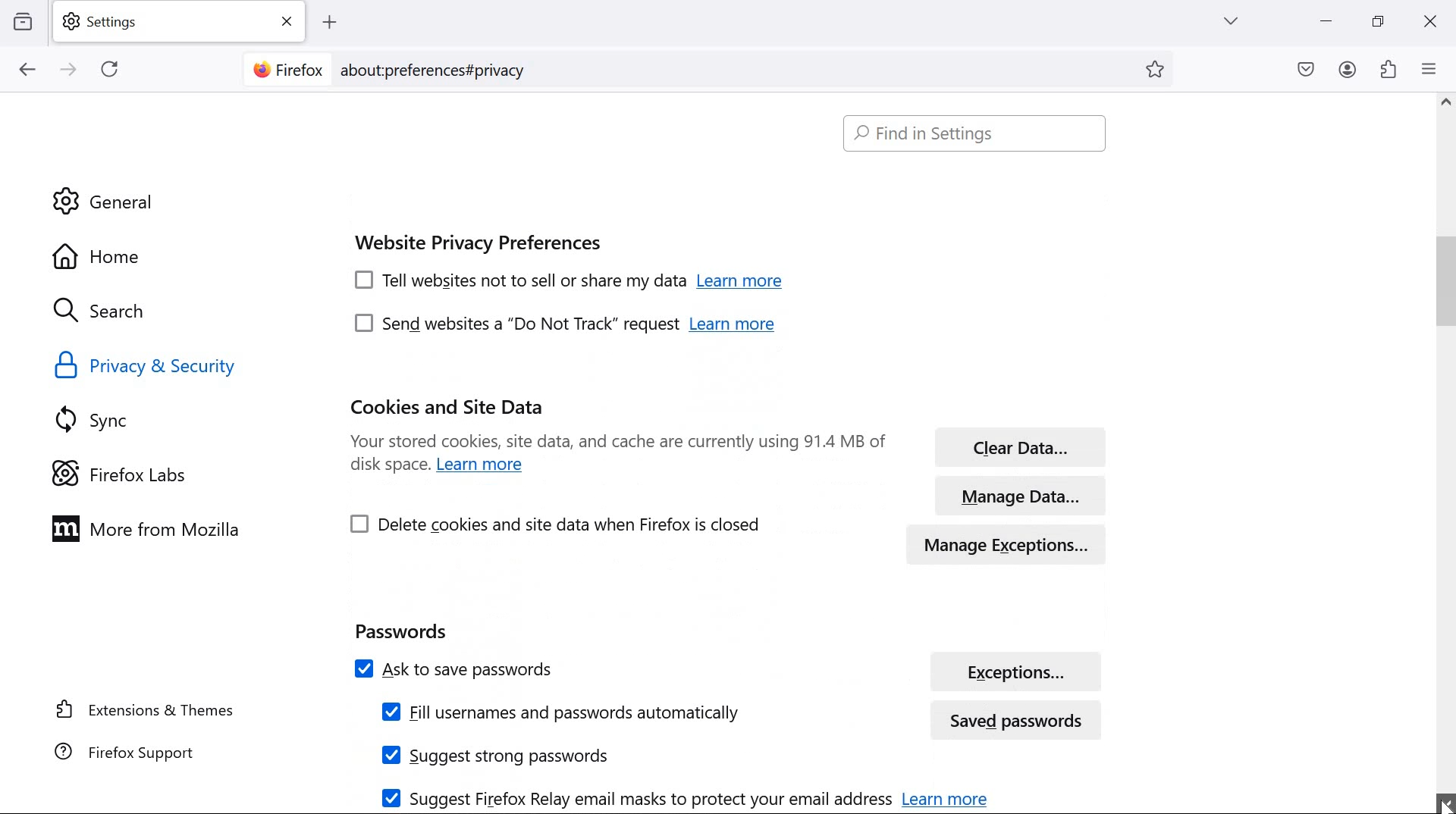  I want to click on go forward one page, so click(71, 70).